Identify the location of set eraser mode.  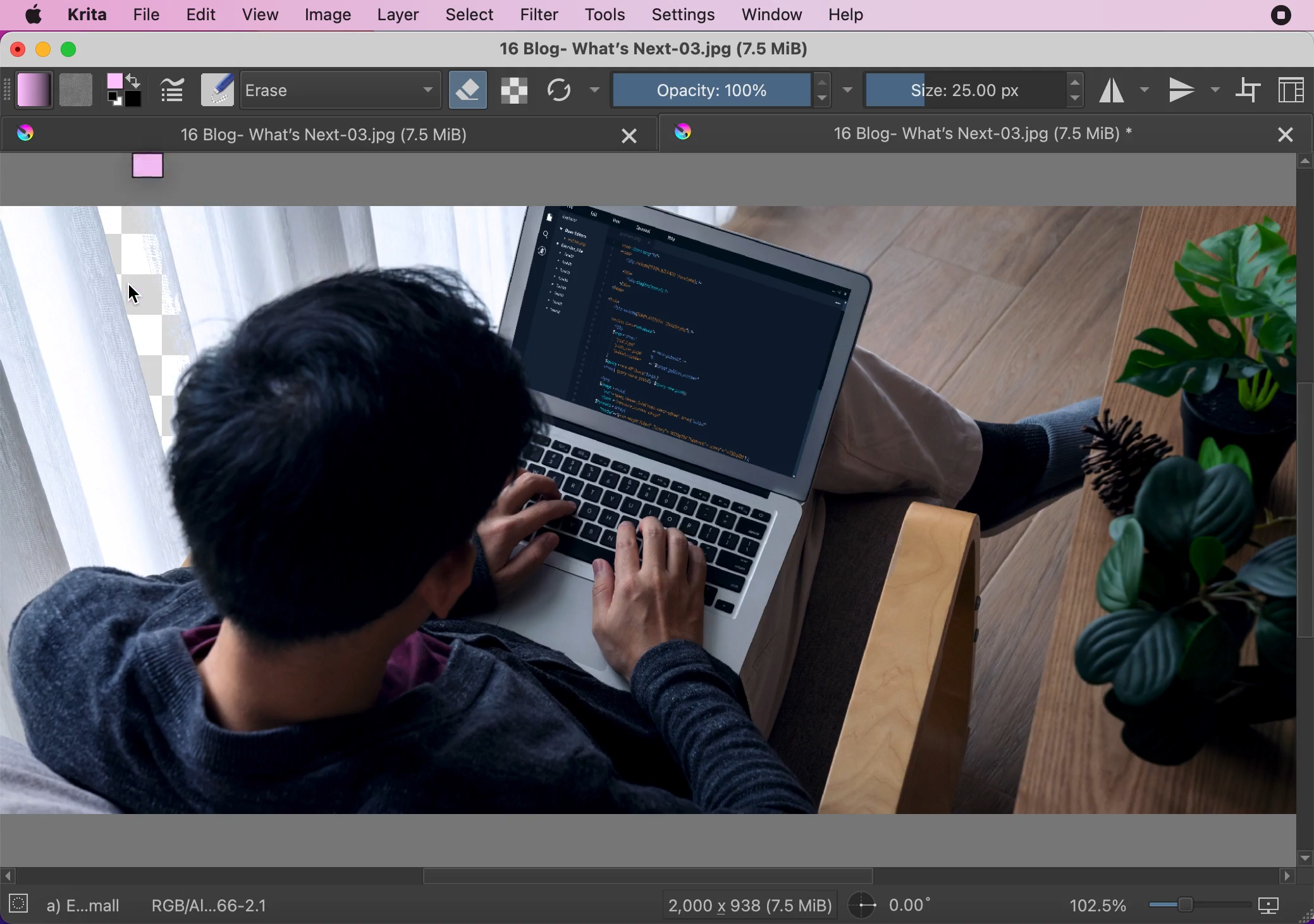
(468, 88).